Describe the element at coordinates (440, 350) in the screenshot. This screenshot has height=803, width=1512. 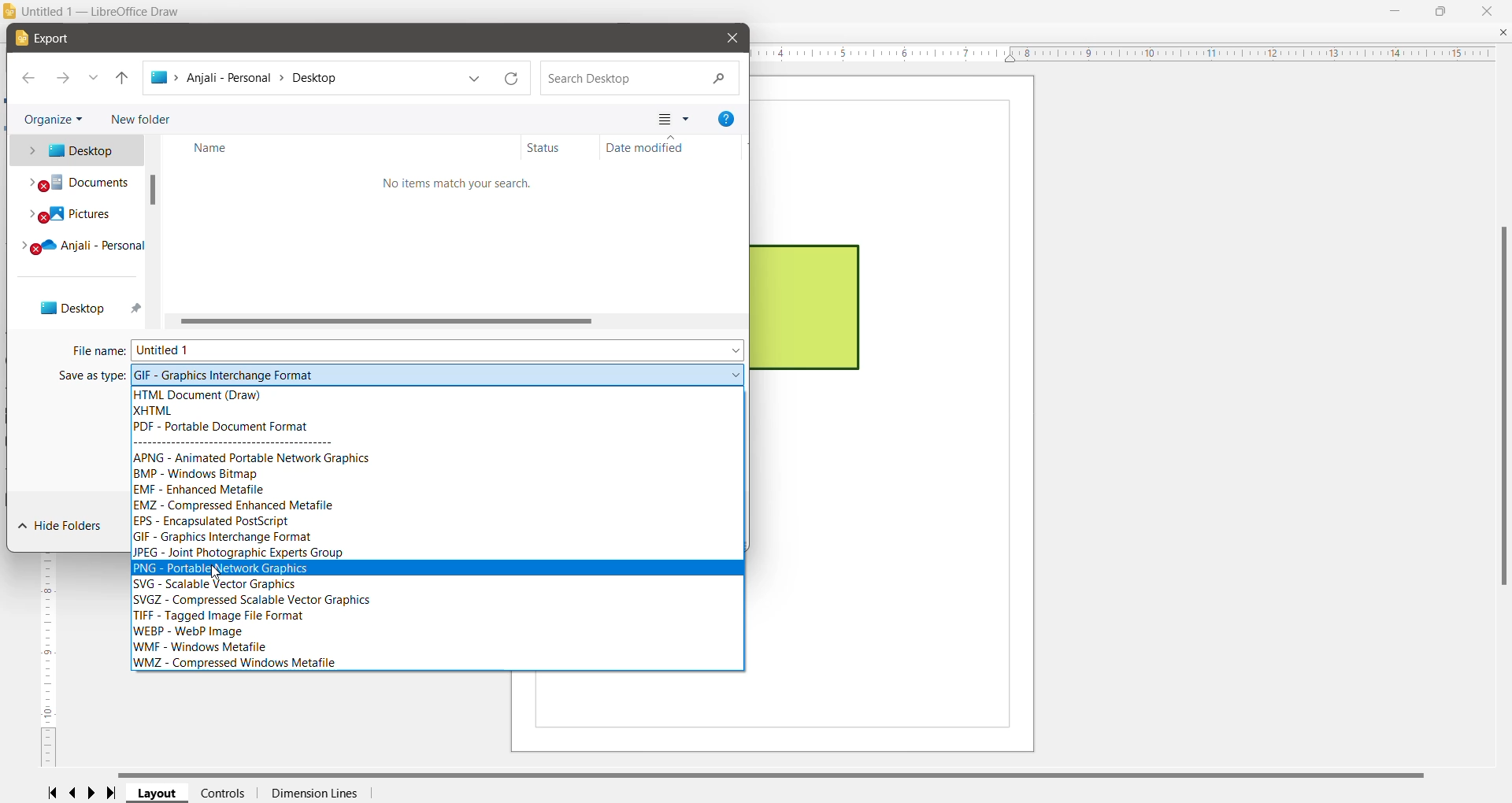
I see `Set File Name` at that location.